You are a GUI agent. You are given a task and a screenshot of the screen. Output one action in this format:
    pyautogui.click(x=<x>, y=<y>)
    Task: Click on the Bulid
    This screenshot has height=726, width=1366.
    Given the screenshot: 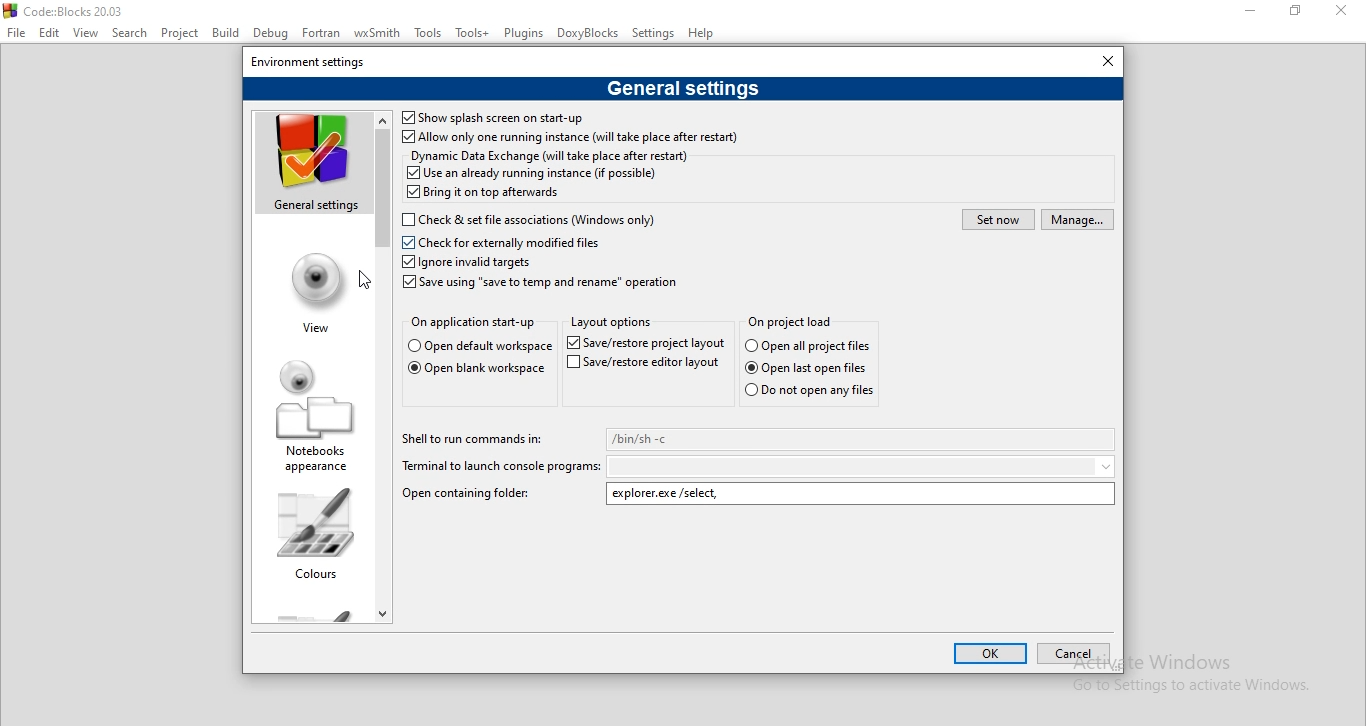 What is the action you would take?
    pyautogui.click(x=225, y=32)
    